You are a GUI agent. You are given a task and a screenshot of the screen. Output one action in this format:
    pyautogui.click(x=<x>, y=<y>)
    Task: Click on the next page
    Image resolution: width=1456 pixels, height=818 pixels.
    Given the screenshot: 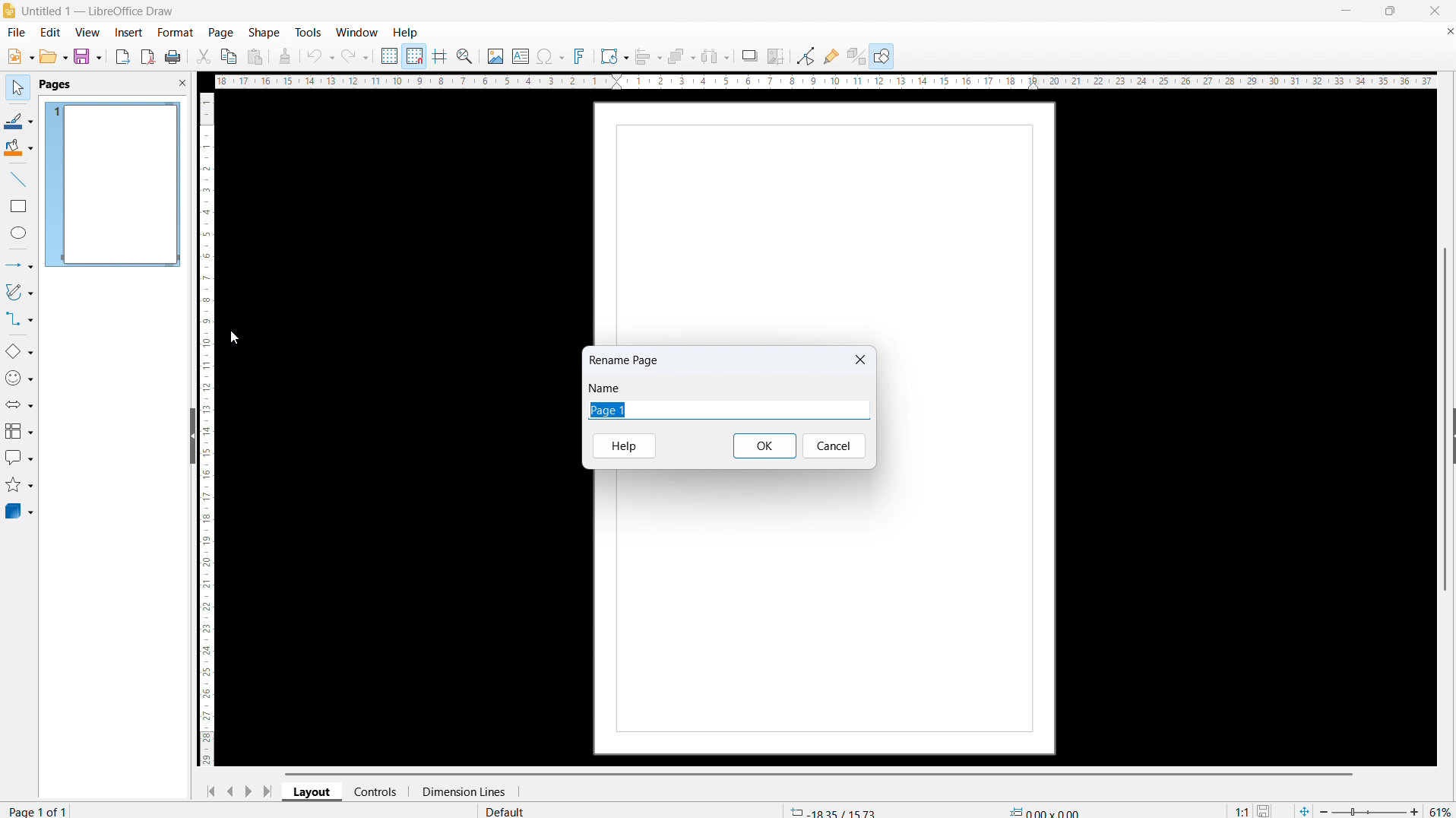 What is the action you would take?
    pyautogui.click(x=248, y=791)
    